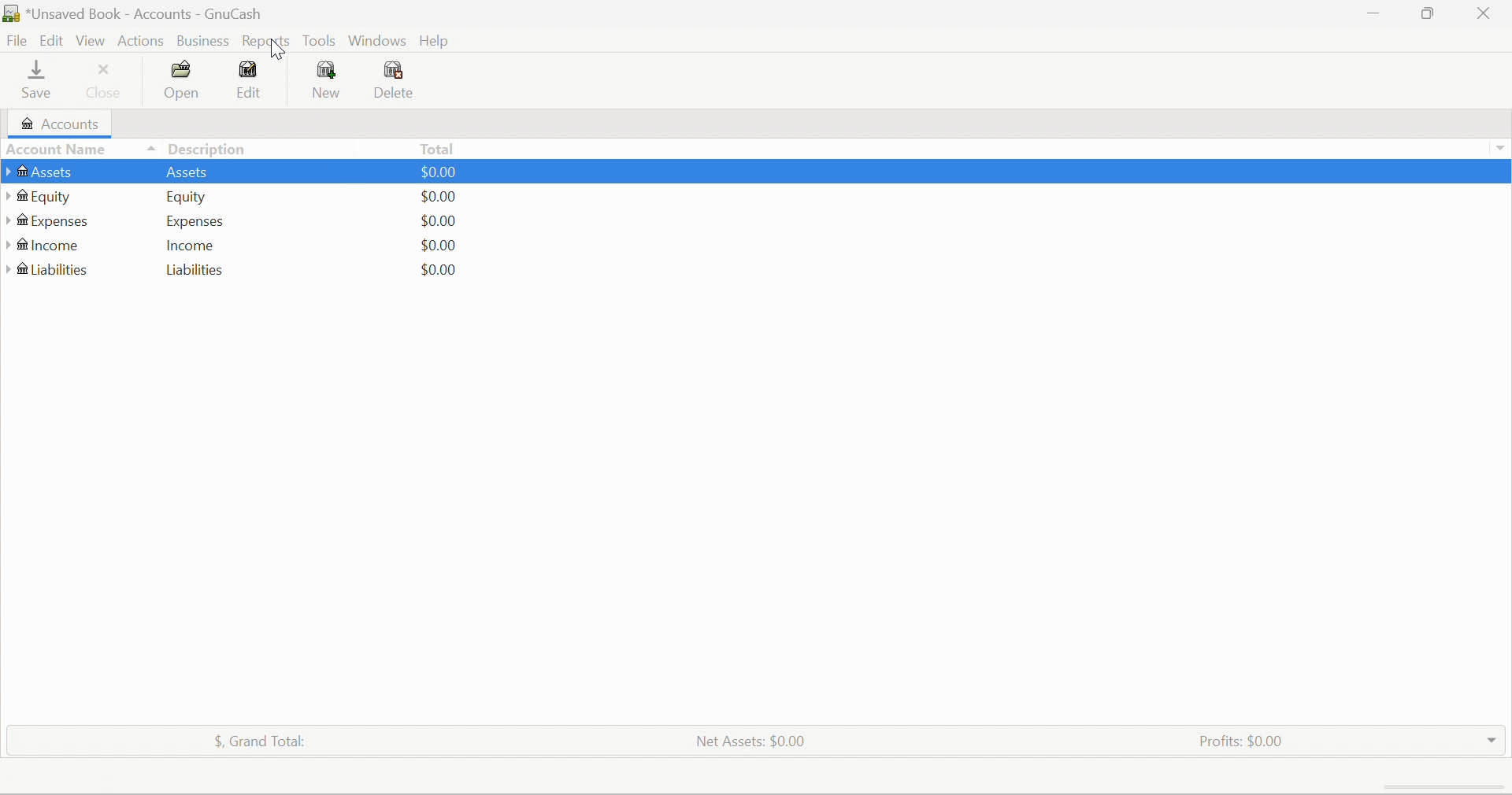 This screenshot has height=795, width=1512. Describe the element at coordinates (183, 84) in the screenshot. I see `Open` at that location.